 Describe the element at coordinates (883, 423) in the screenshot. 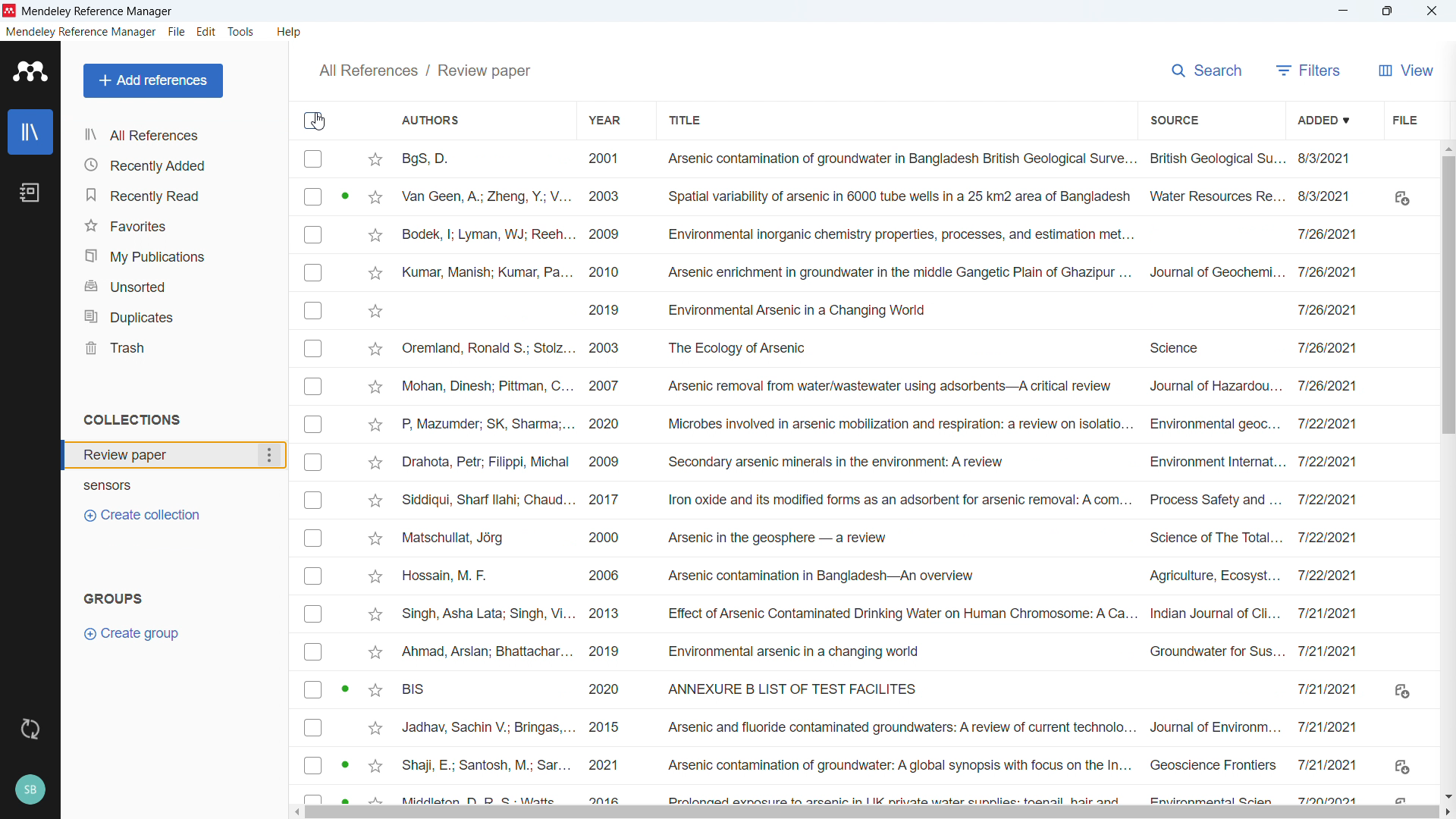

I see `Kim, J; Kim, K; Ye, H; Lee, ... 2011 Anaerobic fluidized bed membrane bioreactor for wastewater treatment ACS PublicationsJ K... 10/28/2024` at that location.